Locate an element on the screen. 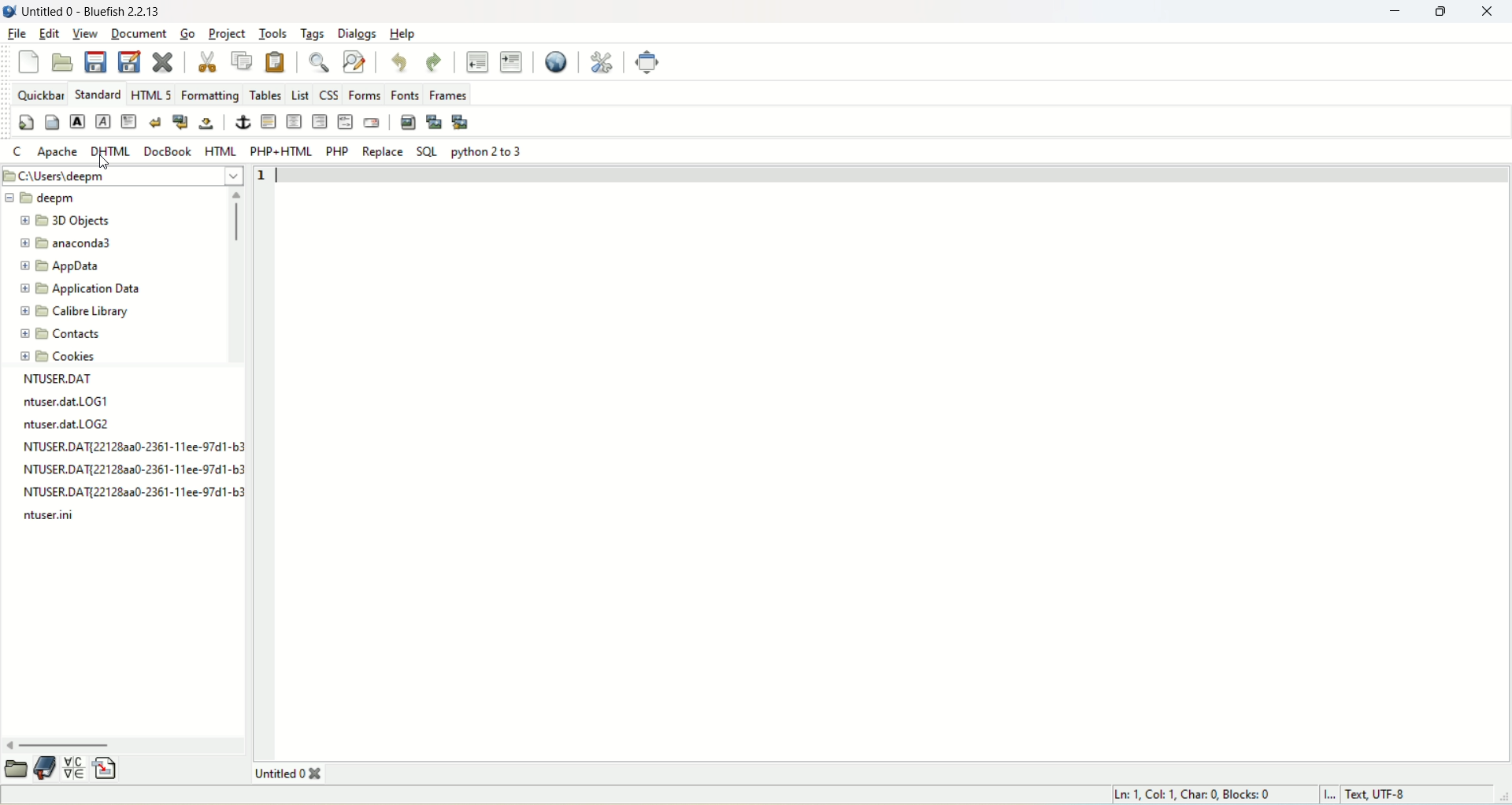 Image resolution: width=1512 pixels, height=805 pixels. anaconda is located at coordinates (71, 243).